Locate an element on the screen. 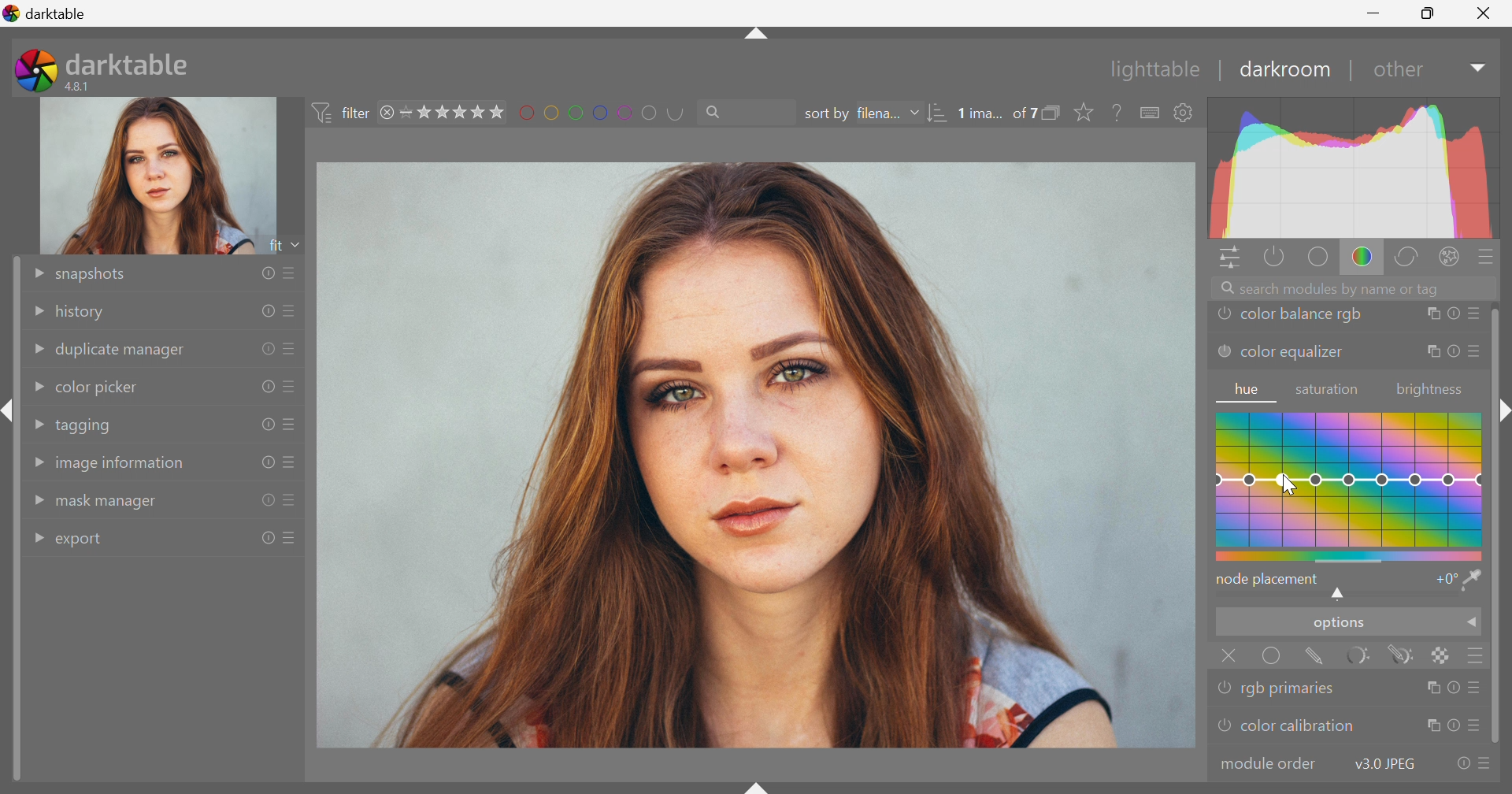 The image size is (1512, 794). history is located at coordinates (84, 313).